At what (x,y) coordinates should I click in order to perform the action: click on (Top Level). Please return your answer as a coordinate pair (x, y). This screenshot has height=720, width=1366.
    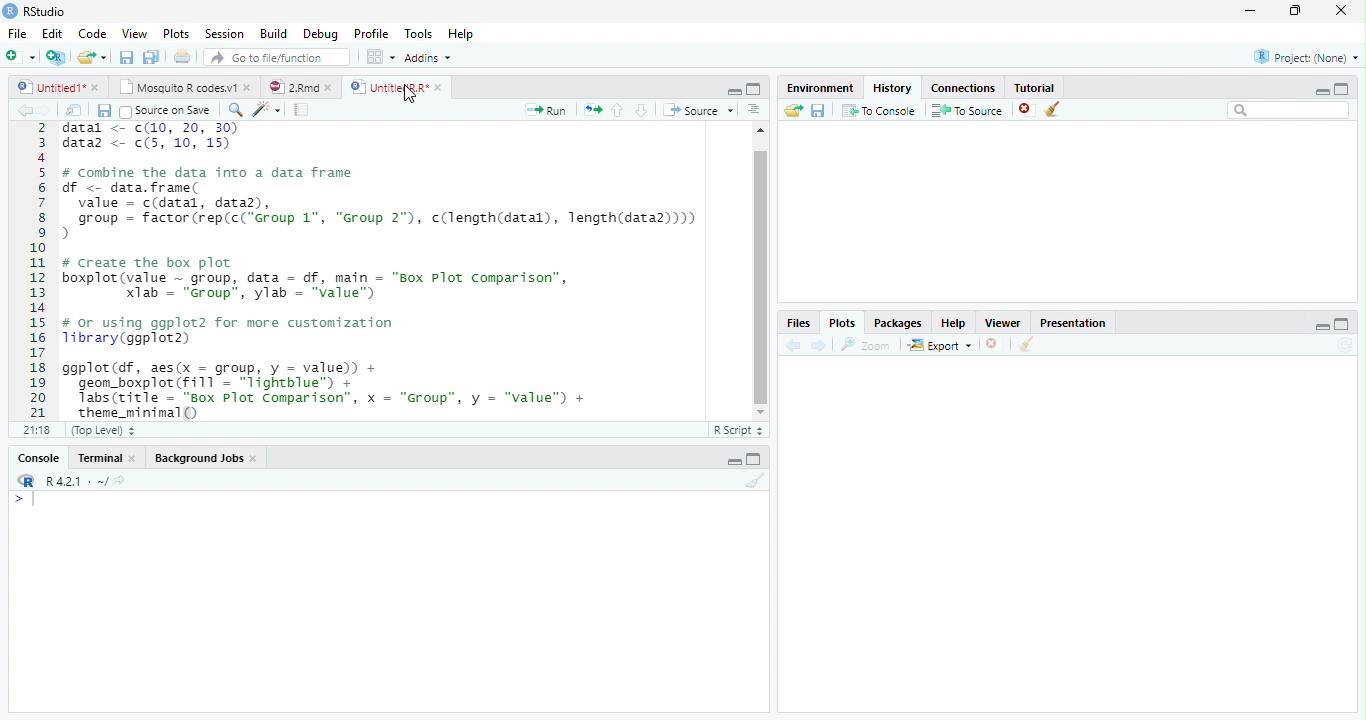
    Looking at the image, I should click on (101, 431).